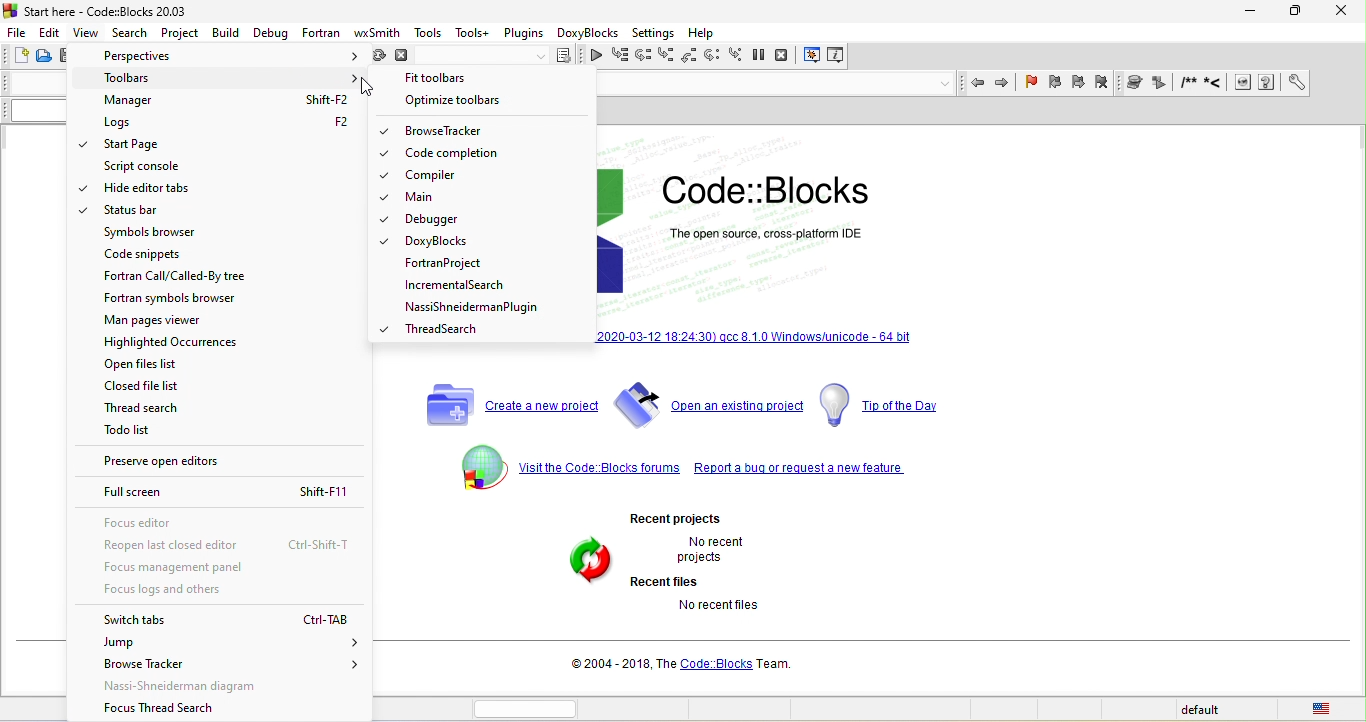 The width and height of the screenshot is (1366, 722). Describe the element at coordinates (204, 689) in the screenshot. I see `nassi shneideman diagram` at that location.